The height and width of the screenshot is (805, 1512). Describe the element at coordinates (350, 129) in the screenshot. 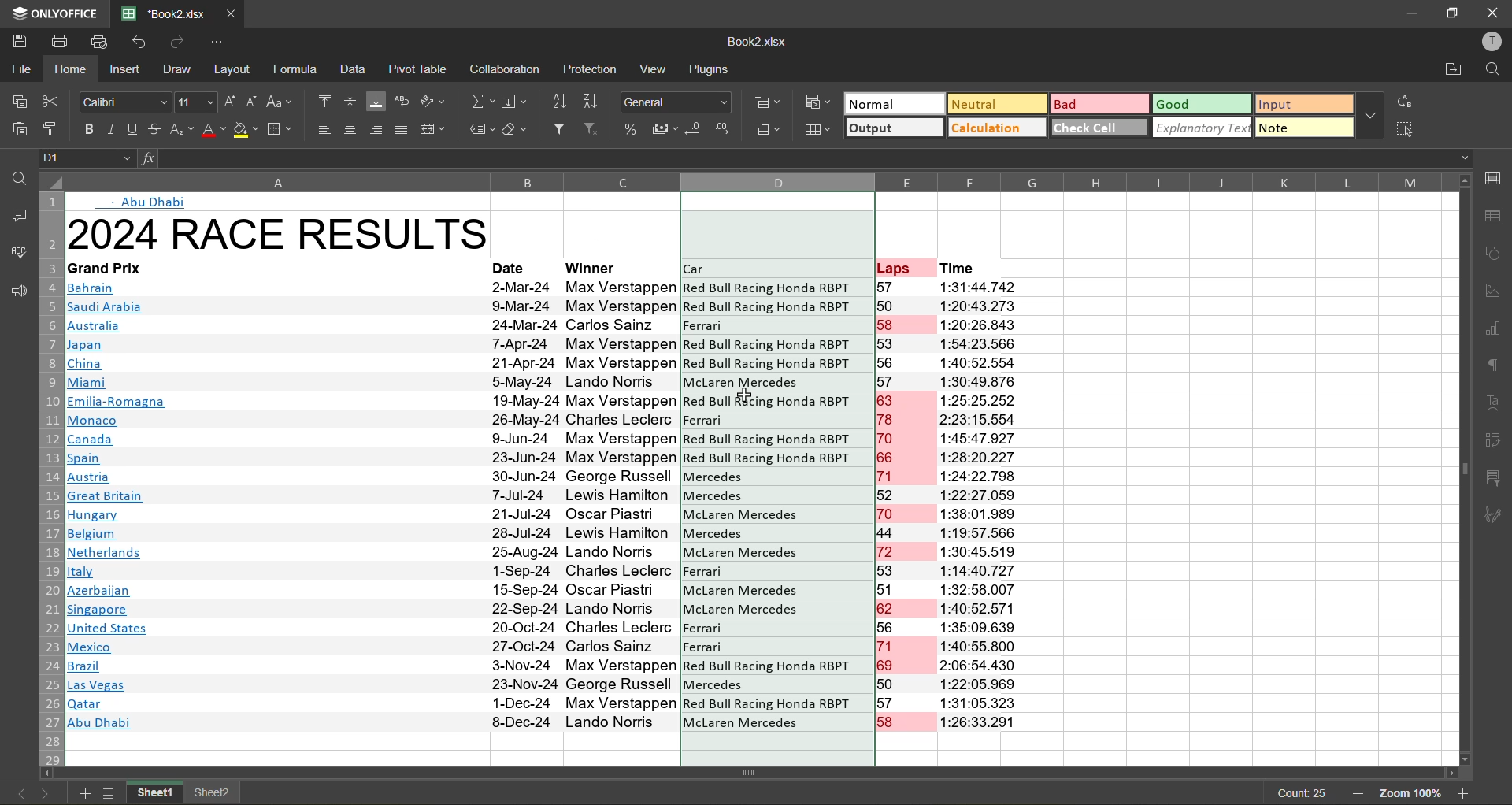

I see `align center` at that location.